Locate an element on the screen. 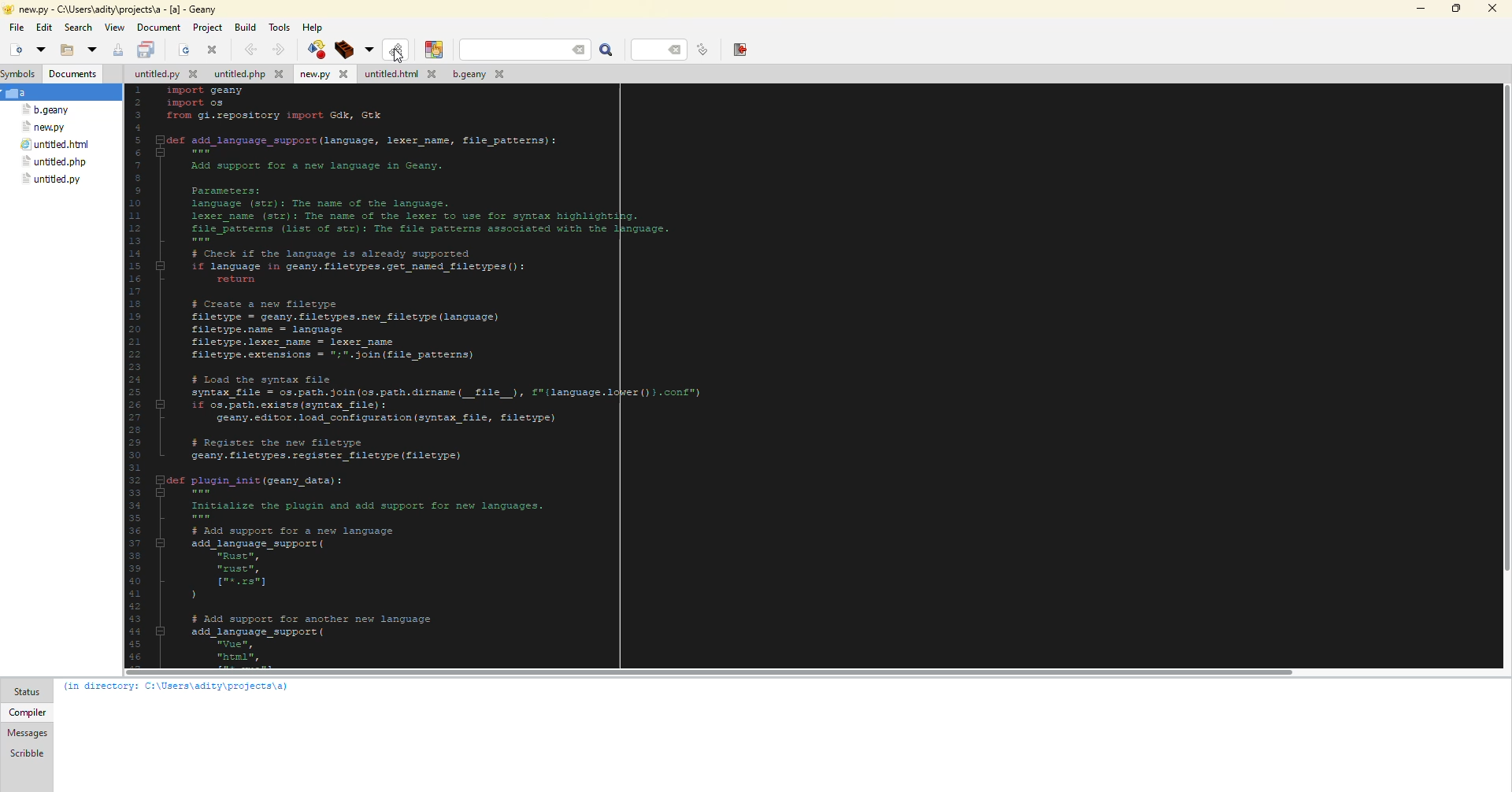  file is located at coordinates (323, 75).